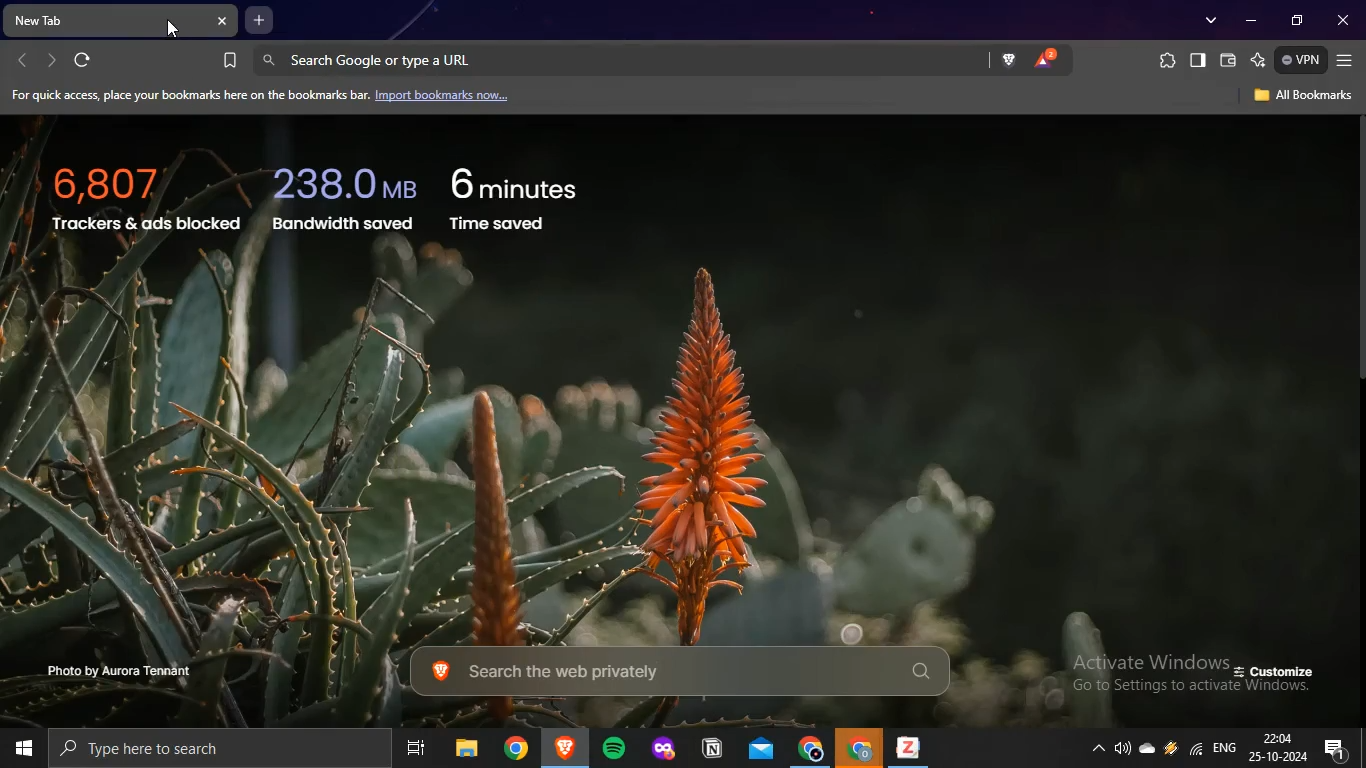  Describe the element at coordinates (762, 749) in the screenshot. I see `outlook` at that location.